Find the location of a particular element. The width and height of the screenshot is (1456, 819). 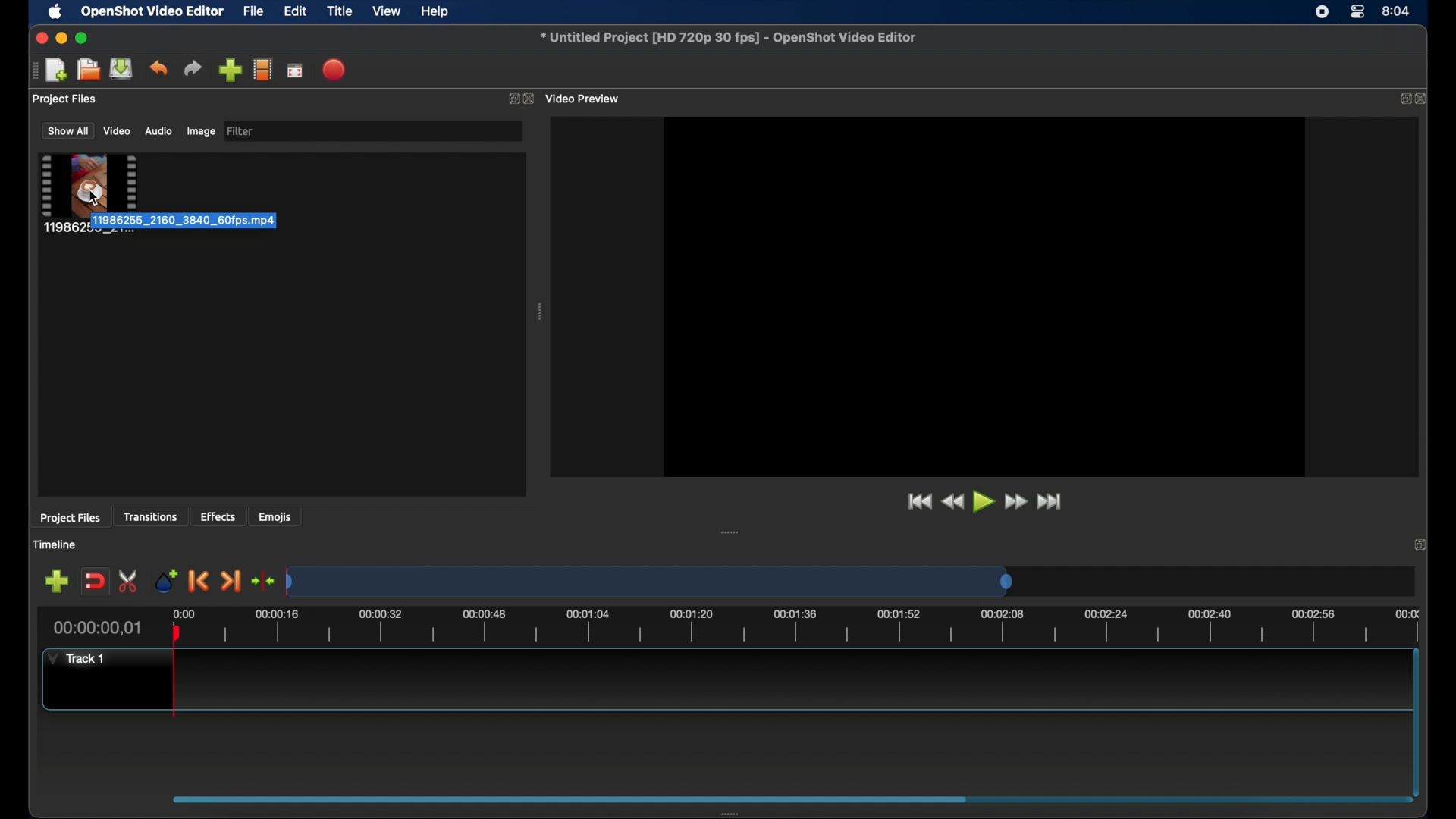

playhead is located at coordinates (174, 675).